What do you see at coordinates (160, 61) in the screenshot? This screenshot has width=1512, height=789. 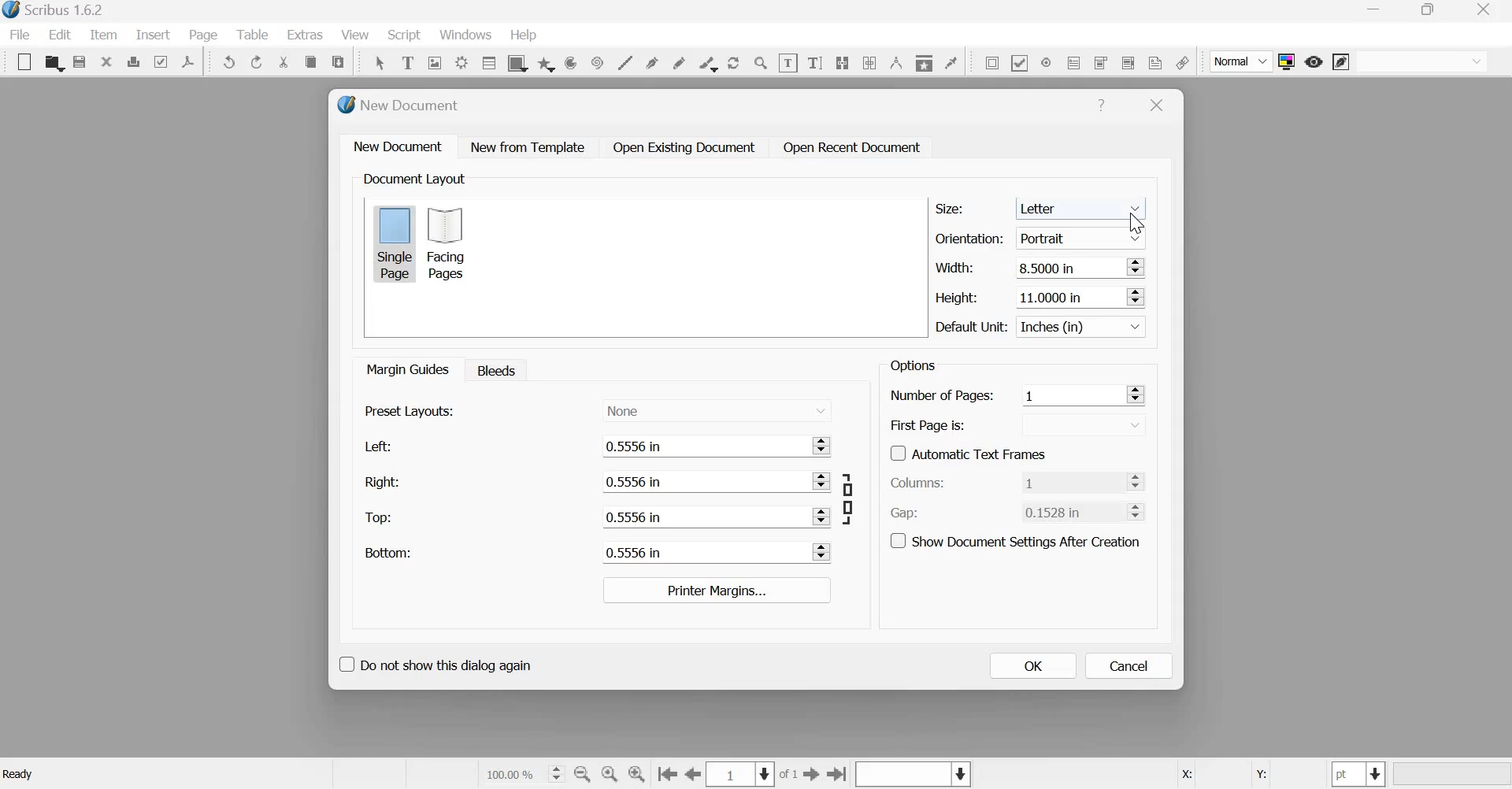 I see `Preflight verifier` at bounding box center [160, 61].